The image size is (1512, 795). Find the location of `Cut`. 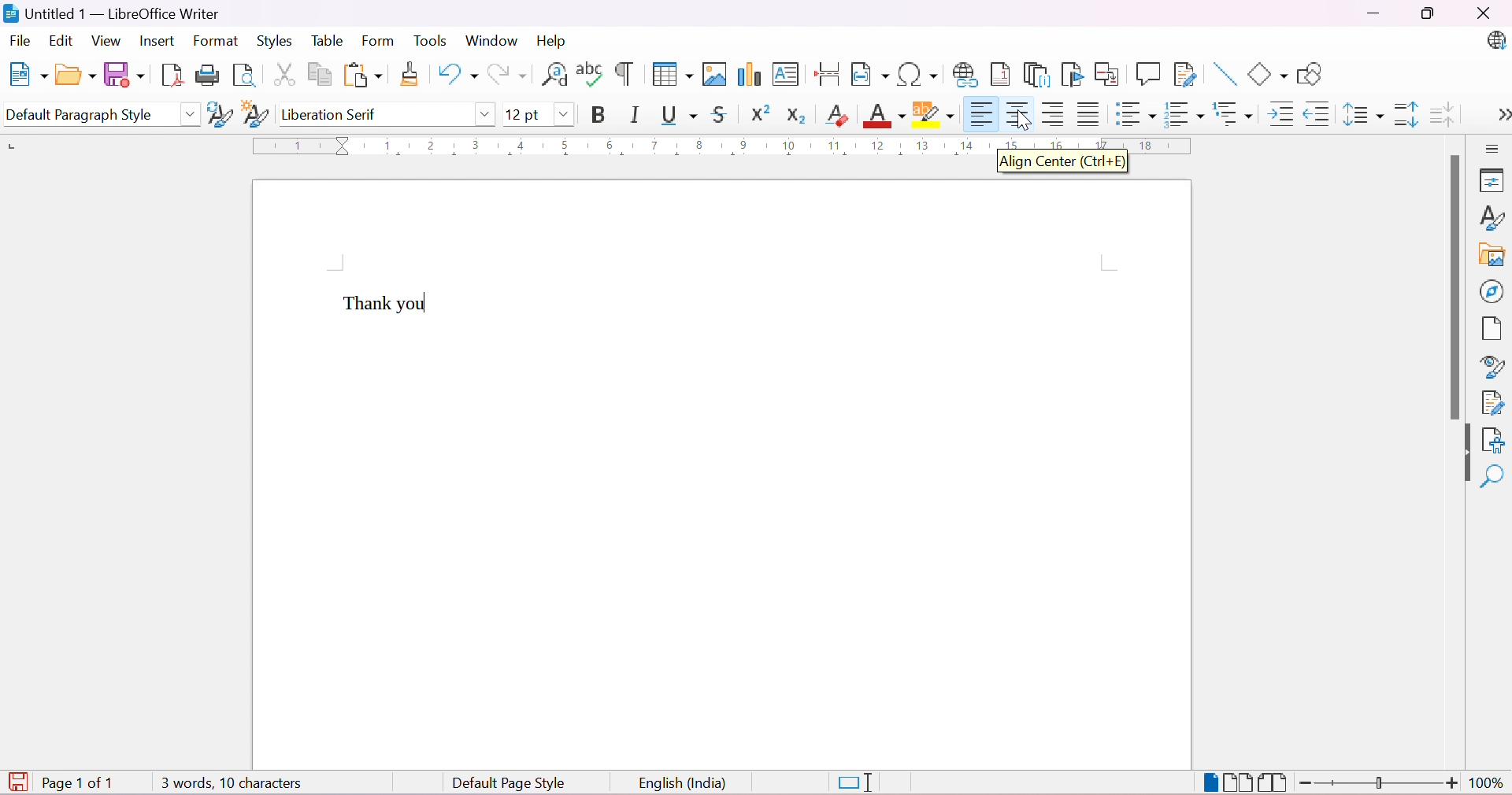

Cut is located at coordinates (281, 73).